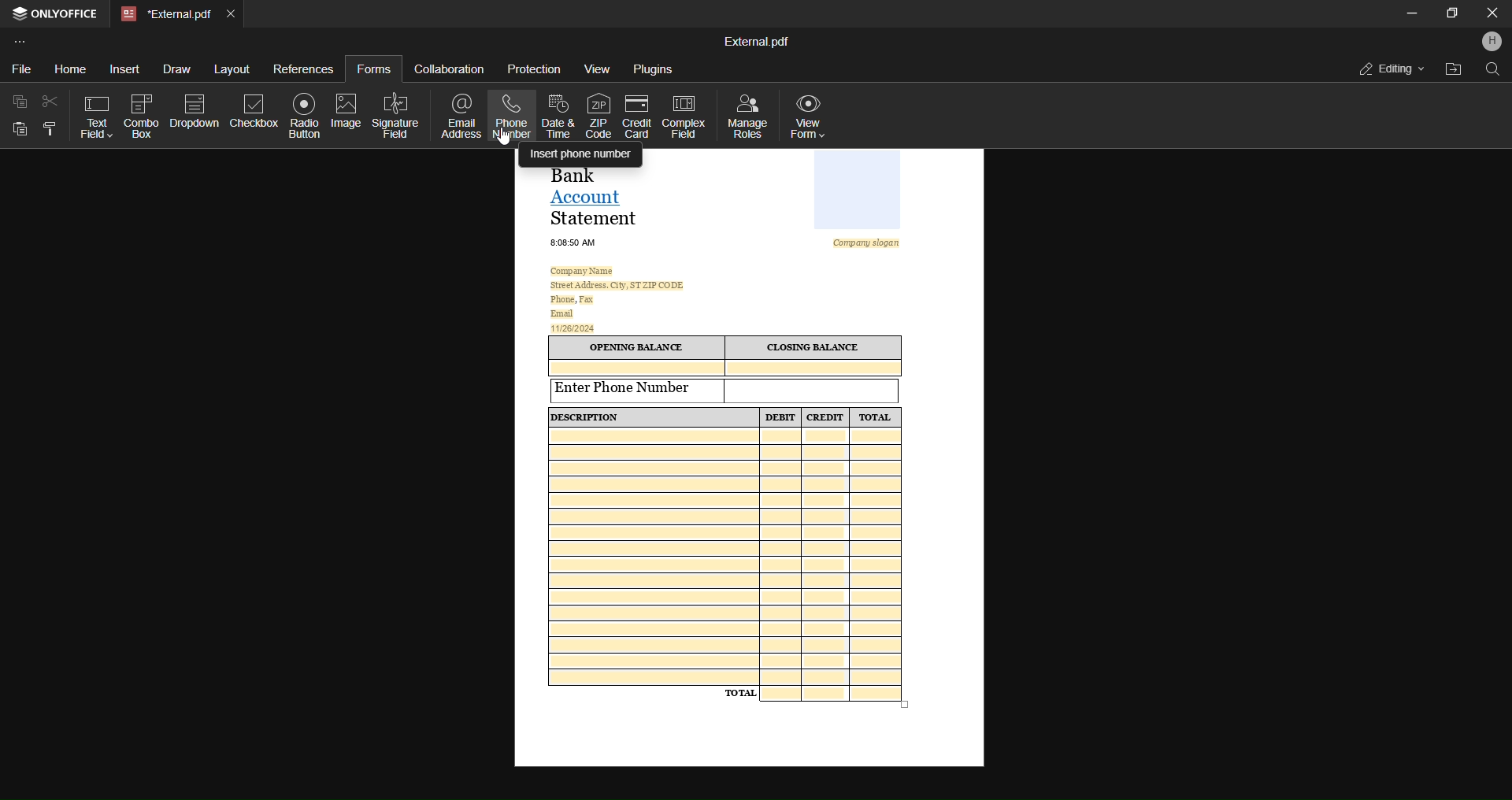  What do you see at coordinates (371, 69) in the screenshot?
I see `forms` at bounding box center [371, 69].